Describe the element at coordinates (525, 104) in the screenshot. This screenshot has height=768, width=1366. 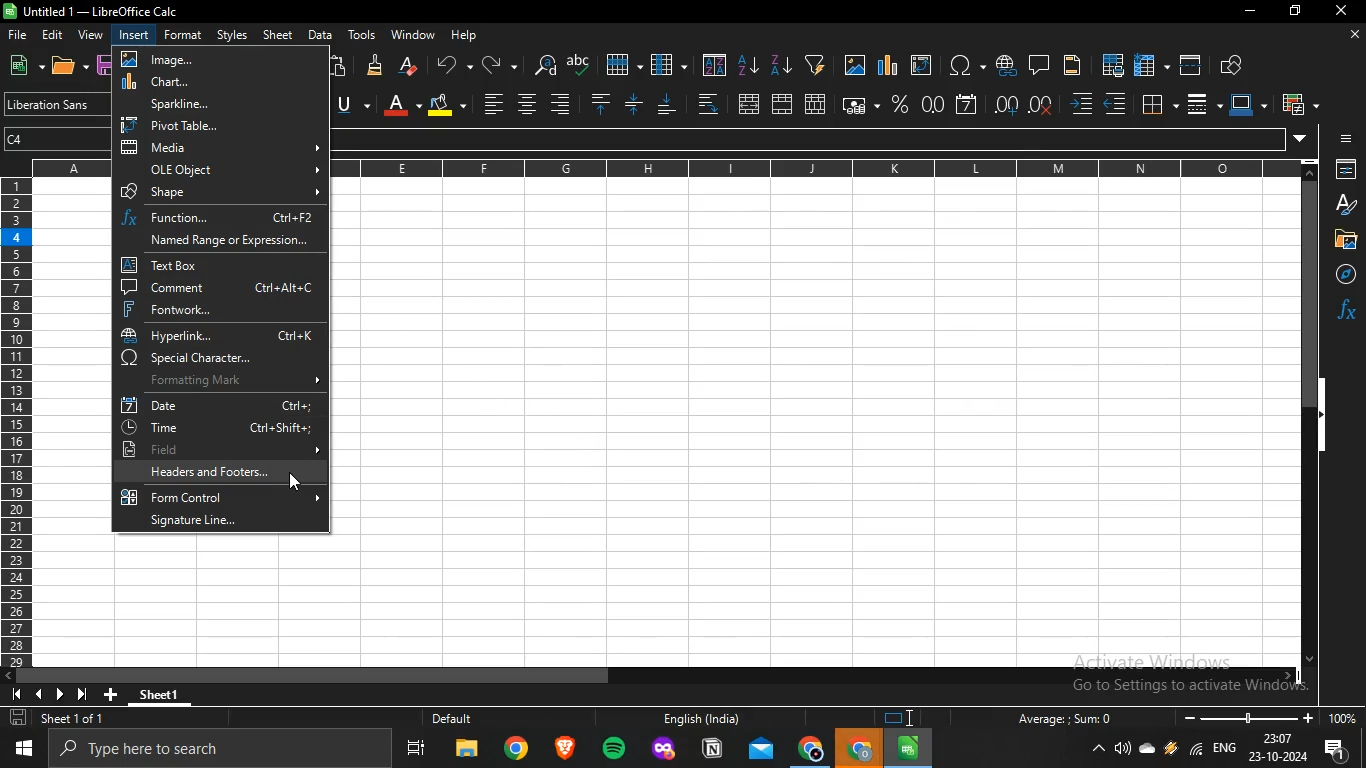
I see `center align` at that location.